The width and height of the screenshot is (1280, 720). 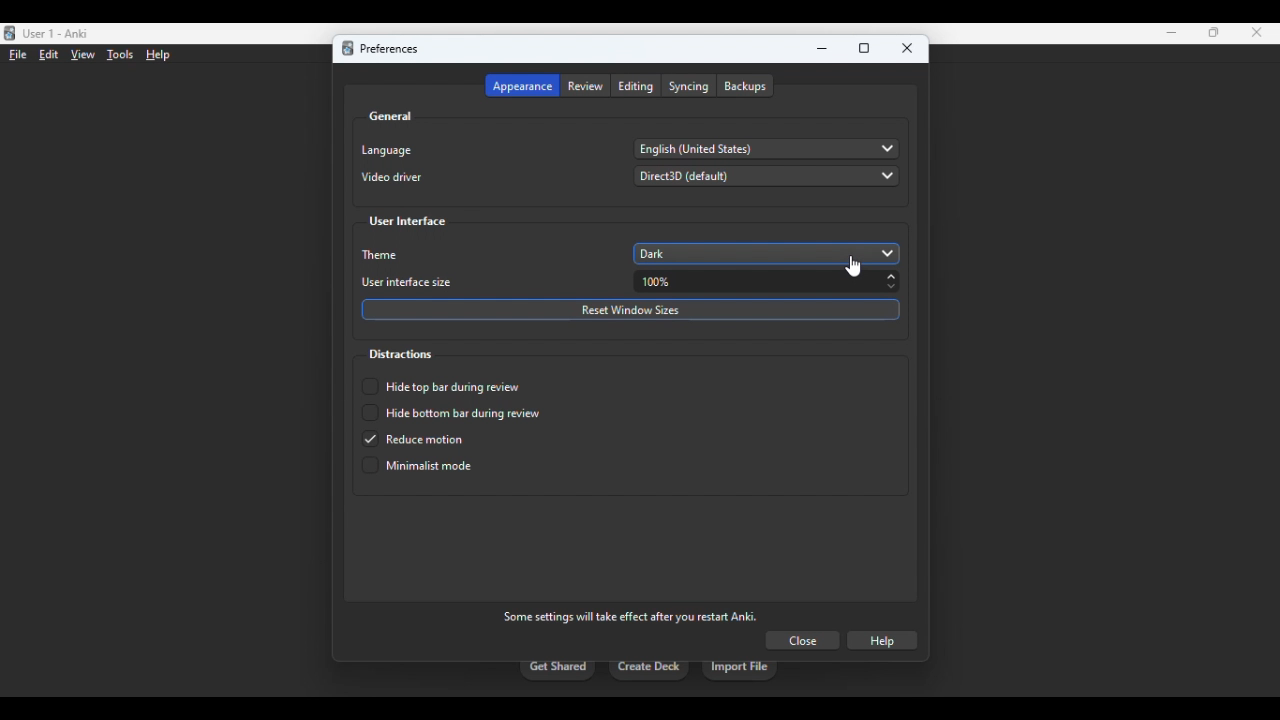 I want to click on preferences, so click(x=388, y=49).